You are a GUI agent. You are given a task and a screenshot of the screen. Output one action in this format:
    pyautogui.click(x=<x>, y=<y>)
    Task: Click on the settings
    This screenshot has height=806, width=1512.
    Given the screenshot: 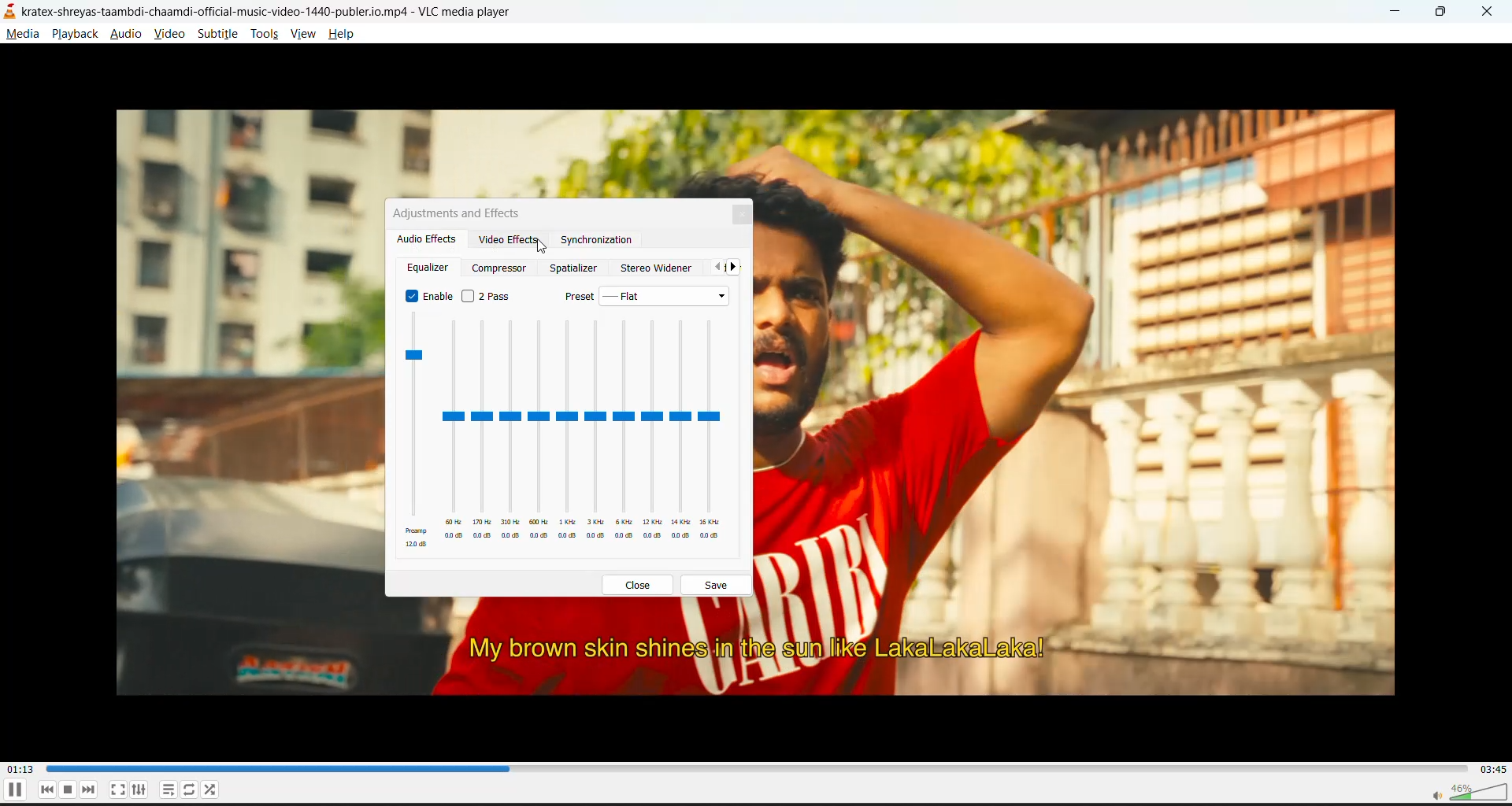 What is the action you would take?
    pyautogui.click(x=140, y=790)
    